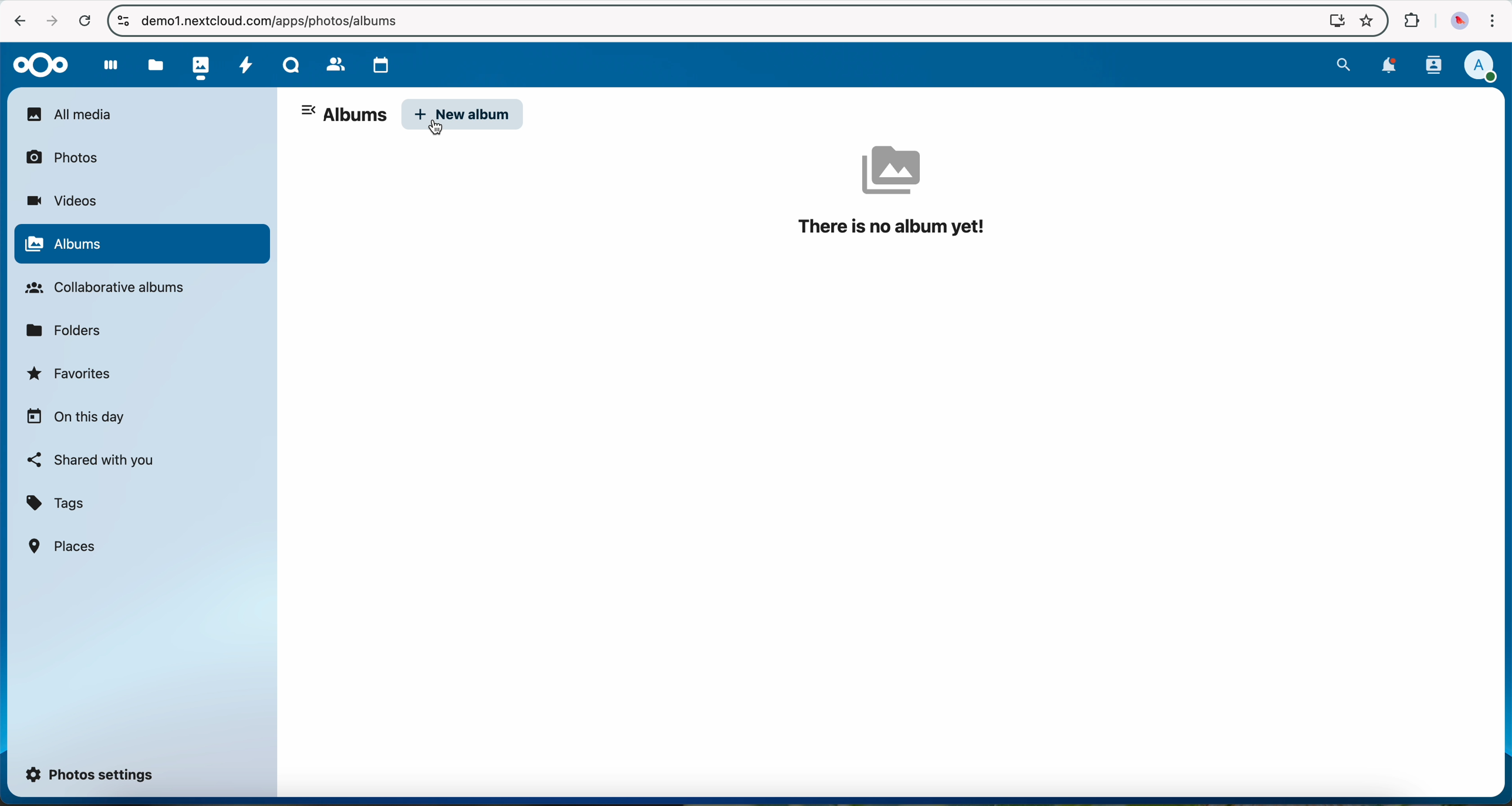  Describe the element at coordinates (141, 114) in the screenshot. I see `all media` at that location.